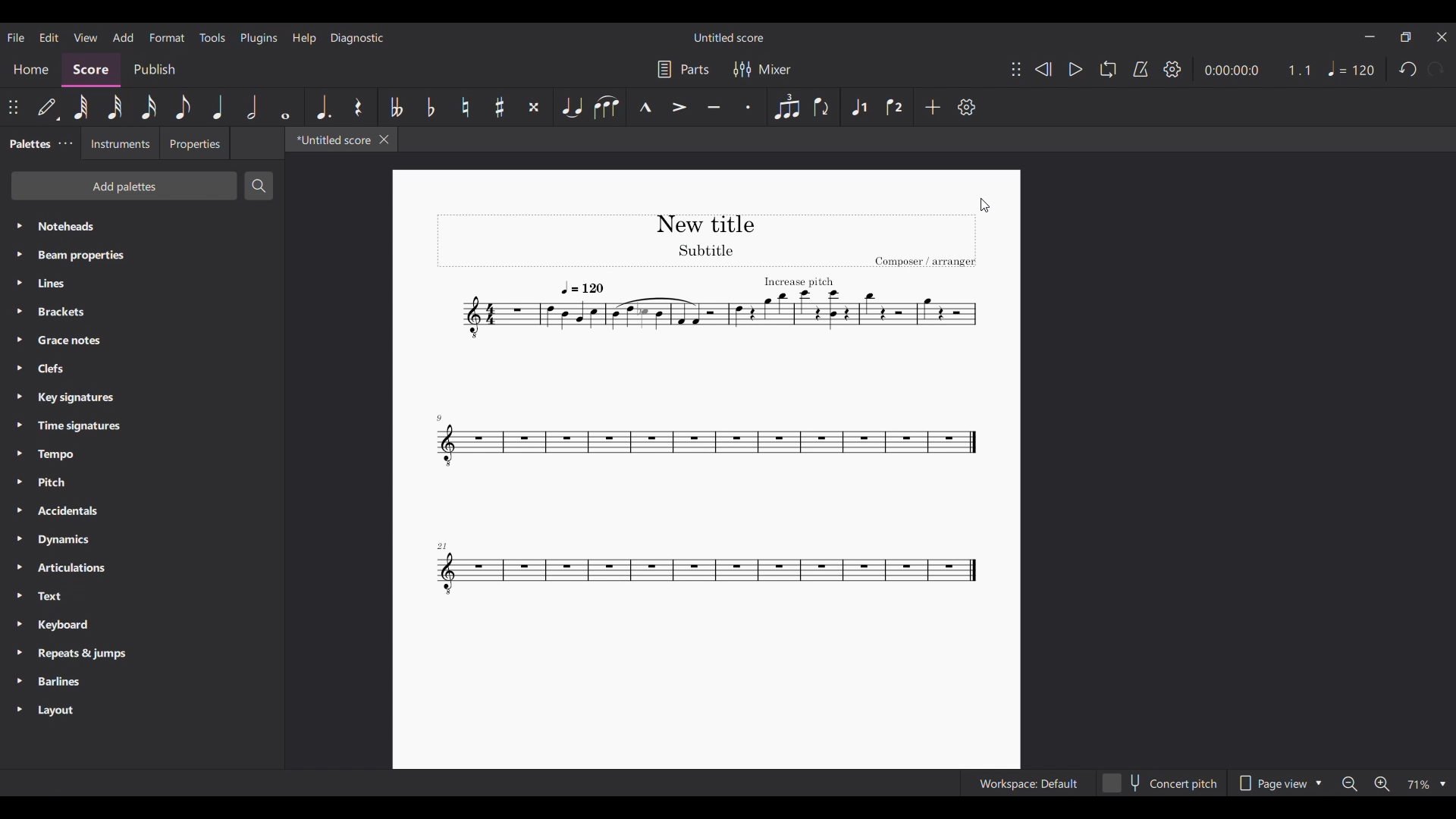 The width and height of the screenshot is (1456, 819). I want to click on Concert pitch toggle, so click(1162, 783).